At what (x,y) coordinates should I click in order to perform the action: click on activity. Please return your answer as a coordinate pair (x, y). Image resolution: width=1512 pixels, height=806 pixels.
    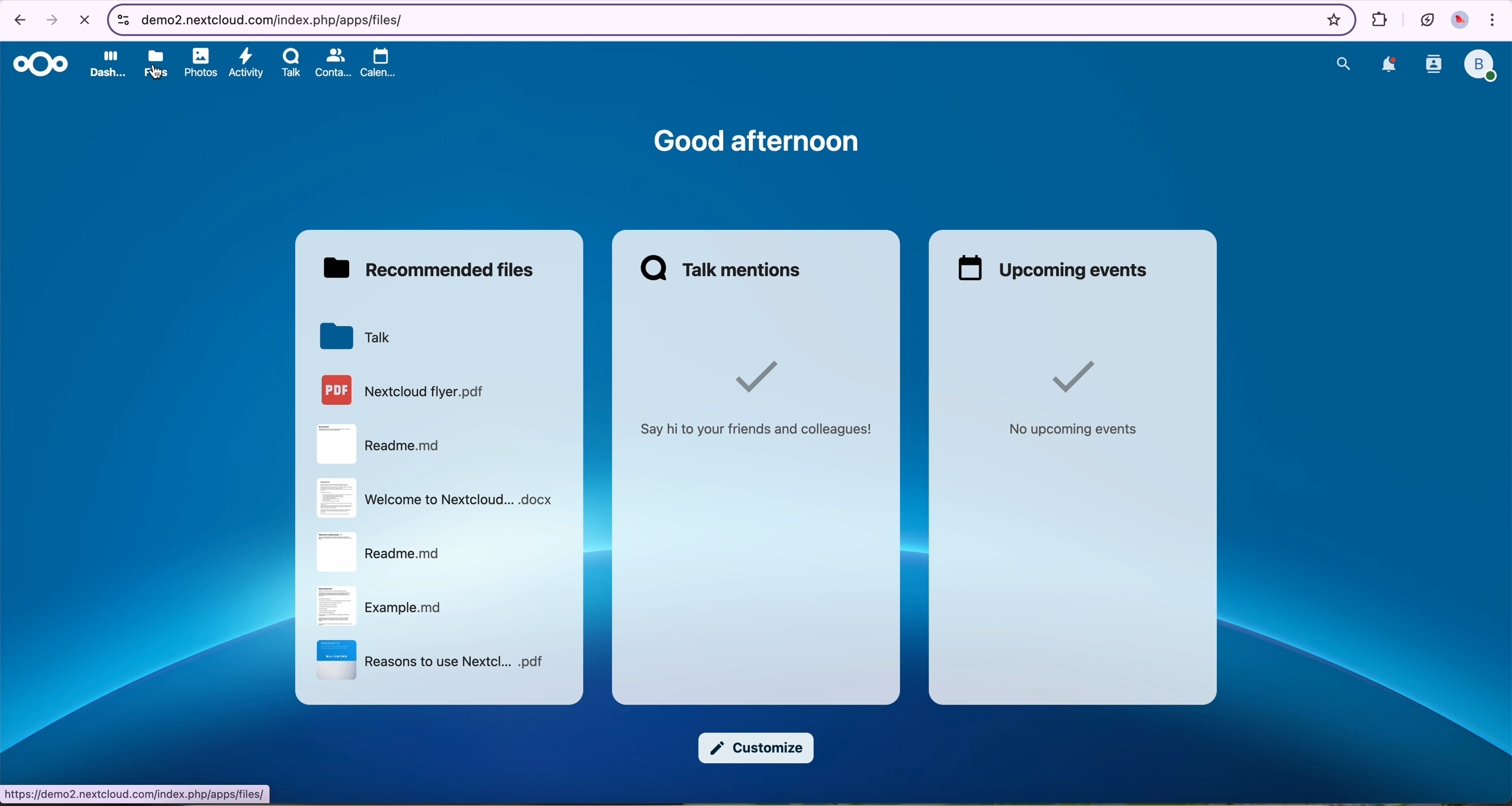
    Looking at the image, I should click on (247, 64).